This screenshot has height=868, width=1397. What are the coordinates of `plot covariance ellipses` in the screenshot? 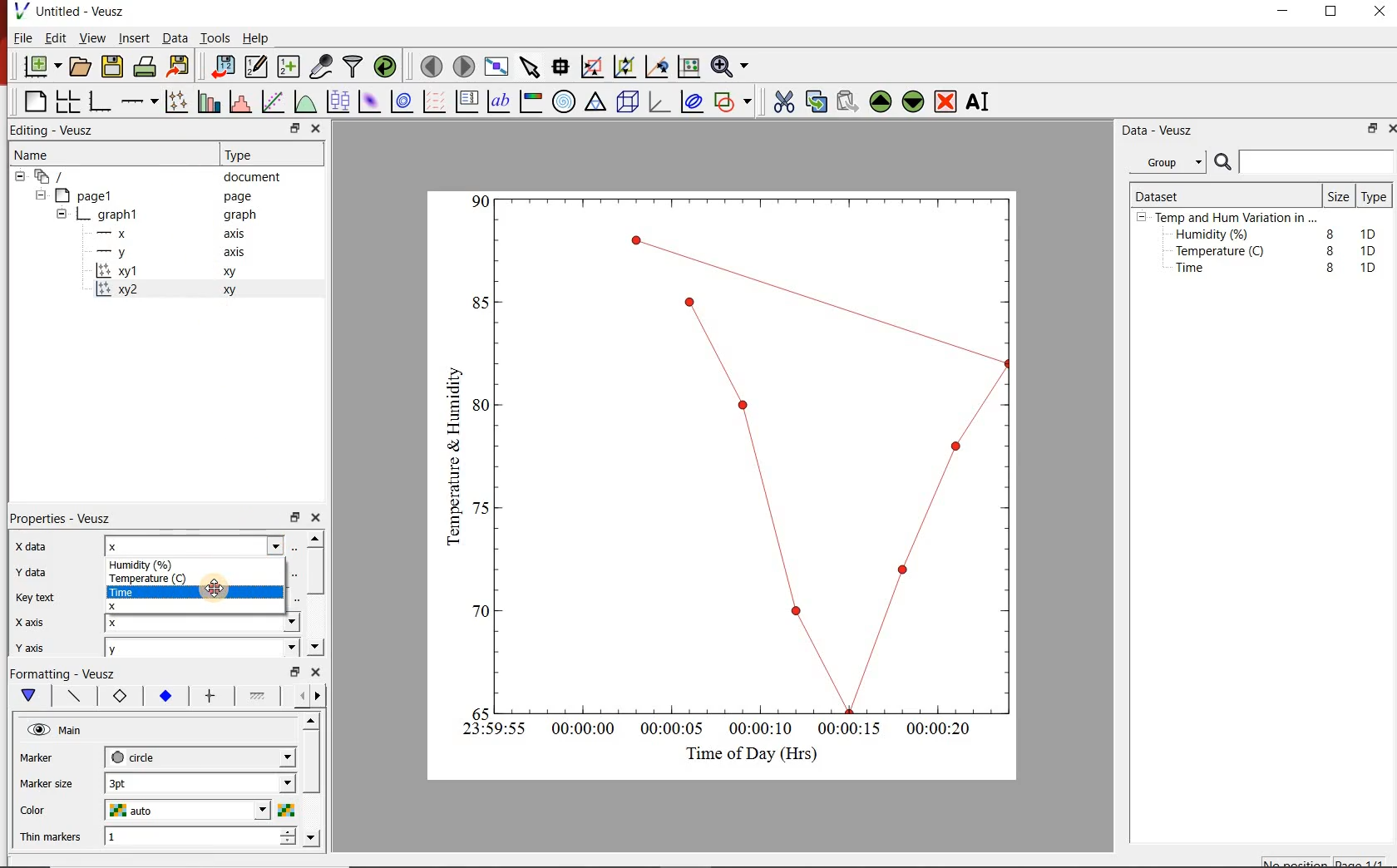 It's located at (696, 105).